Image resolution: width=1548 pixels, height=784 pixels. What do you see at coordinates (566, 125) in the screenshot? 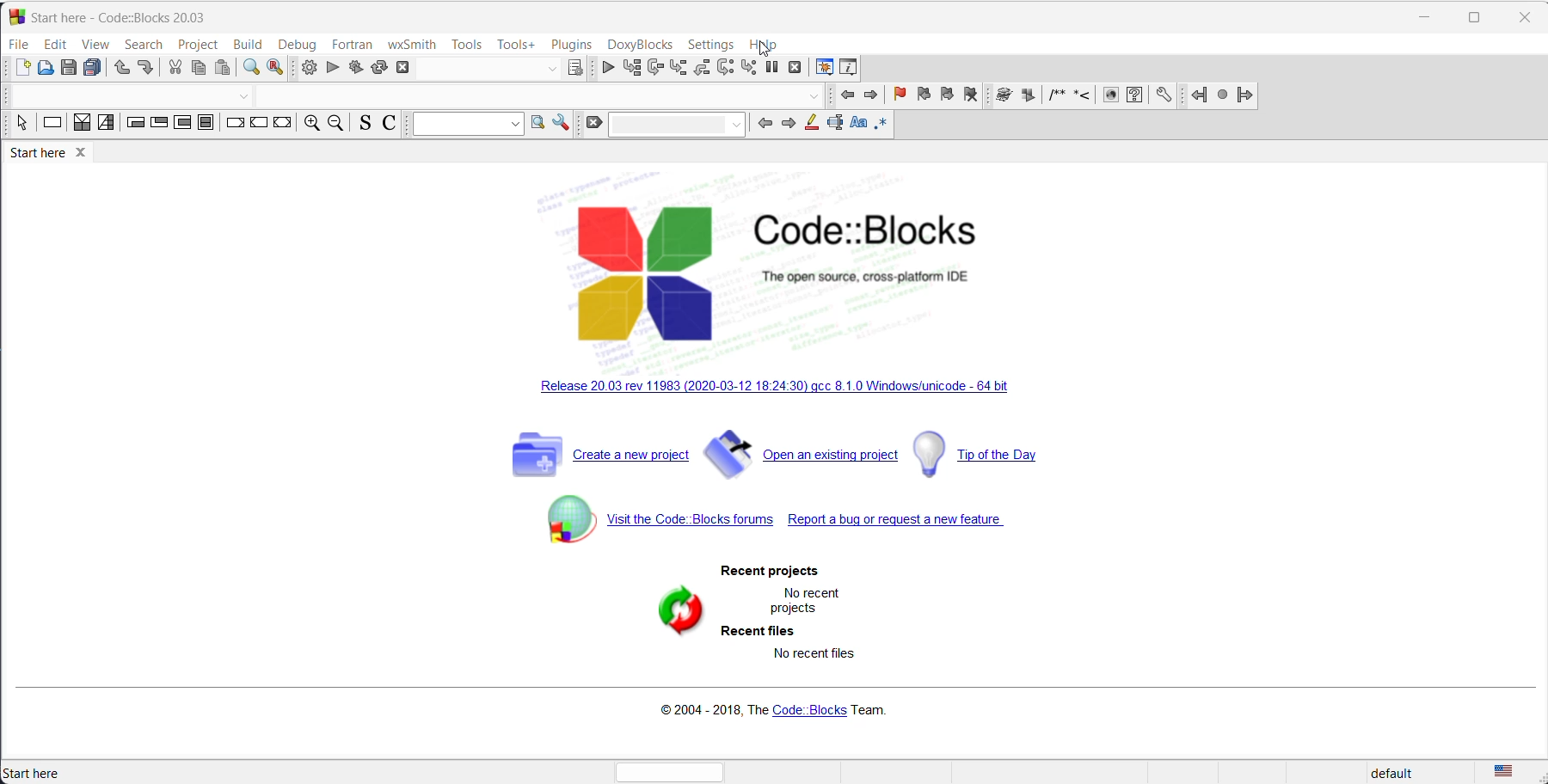
I see `settings` at bounding box center [566, 125].